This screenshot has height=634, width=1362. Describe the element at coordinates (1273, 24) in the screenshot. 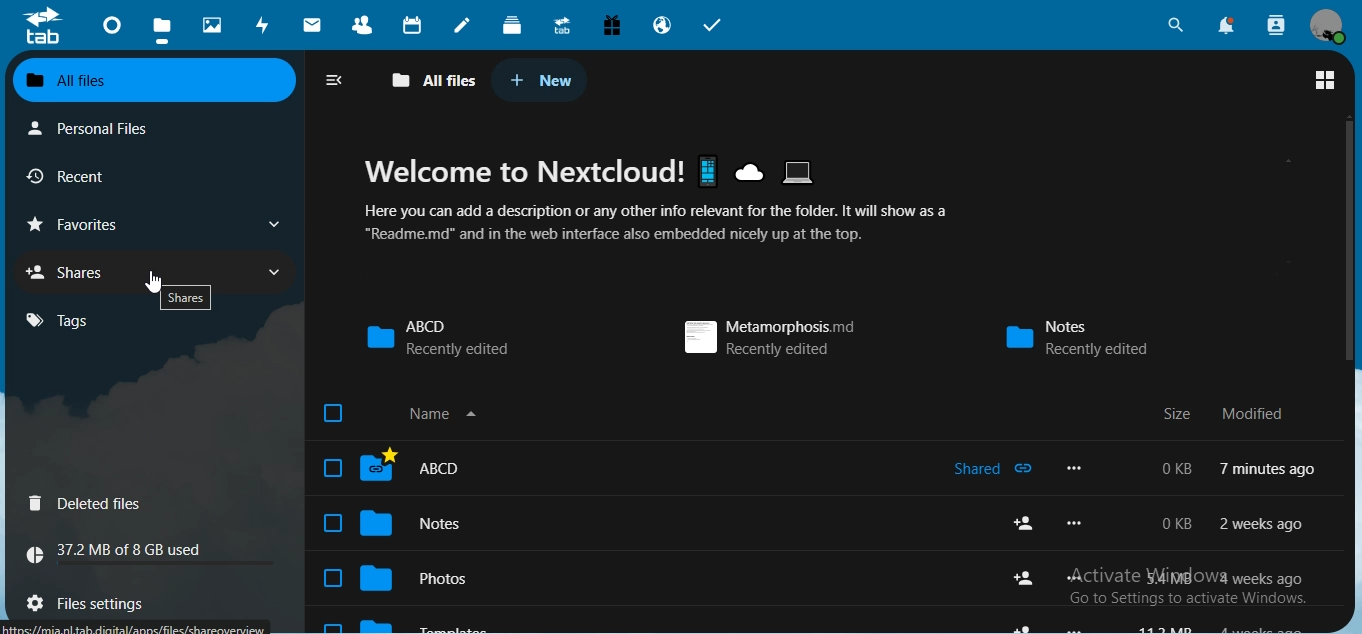

I see `search contacts` at that location.